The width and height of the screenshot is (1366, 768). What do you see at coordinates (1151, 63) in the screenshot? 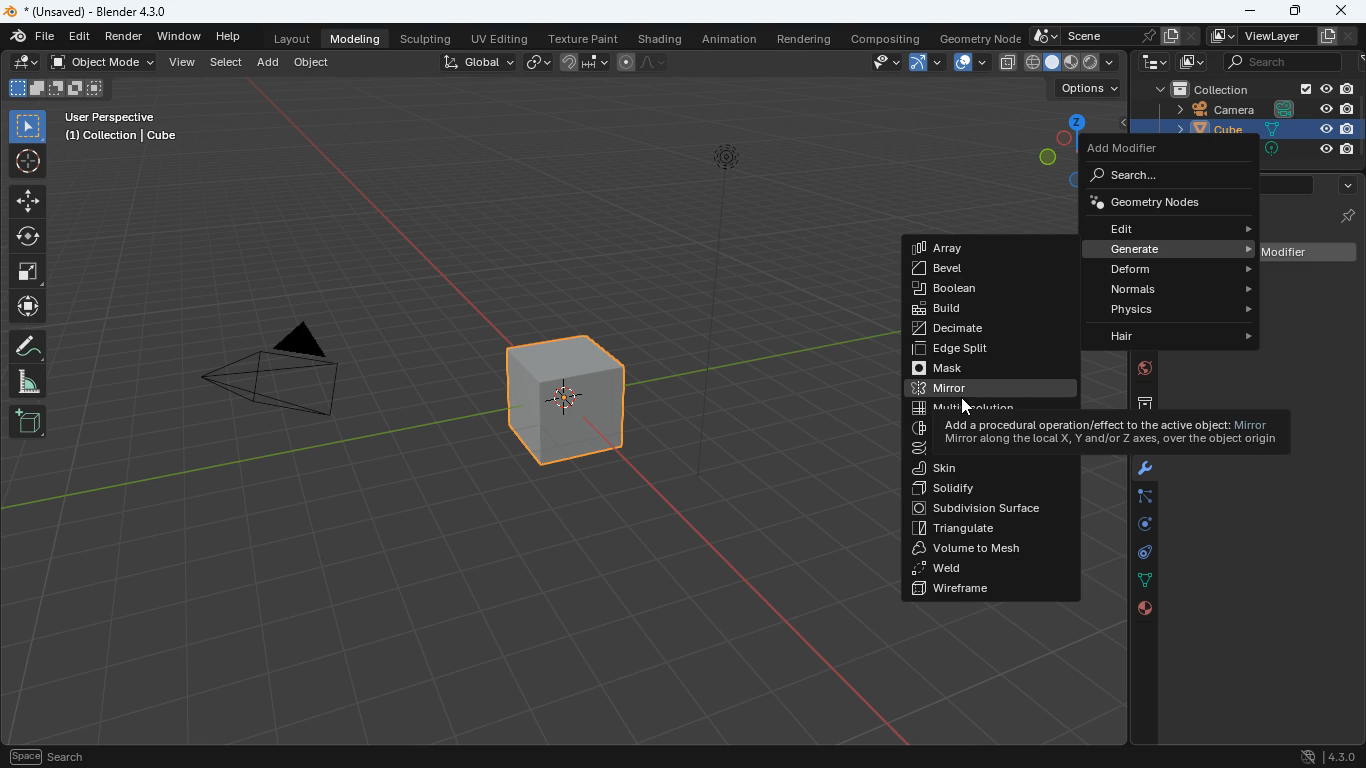
I see `tech` at bounding box center [1151, 63].